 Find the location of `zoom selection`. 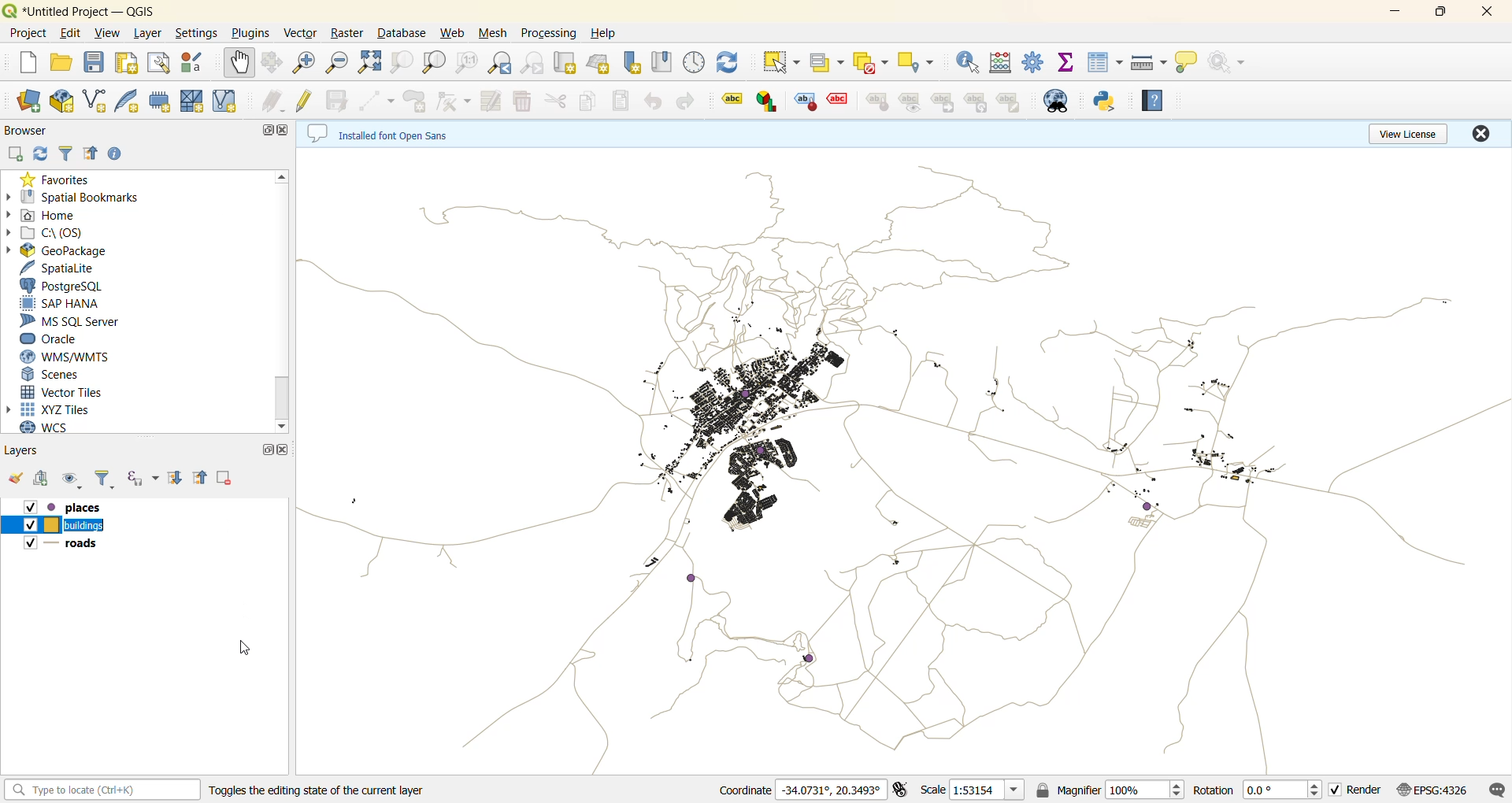

zoom selection is located at coordinates (402, 65).